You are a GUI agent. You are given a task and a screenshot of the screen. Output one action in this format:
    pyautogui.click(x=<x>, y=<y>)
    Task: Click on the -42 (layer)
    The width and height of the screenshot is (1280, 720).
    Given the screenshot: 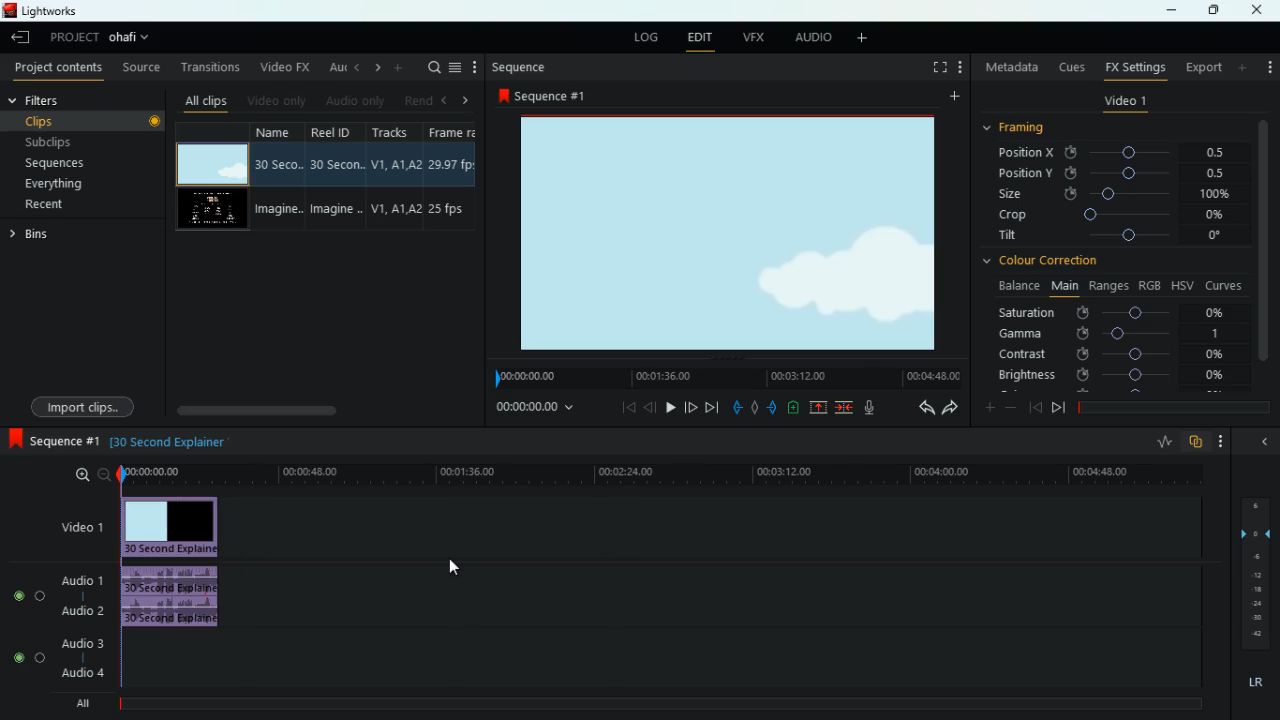 What is the action you would take?
    pyautogui.click(x=1256, y=633)
    